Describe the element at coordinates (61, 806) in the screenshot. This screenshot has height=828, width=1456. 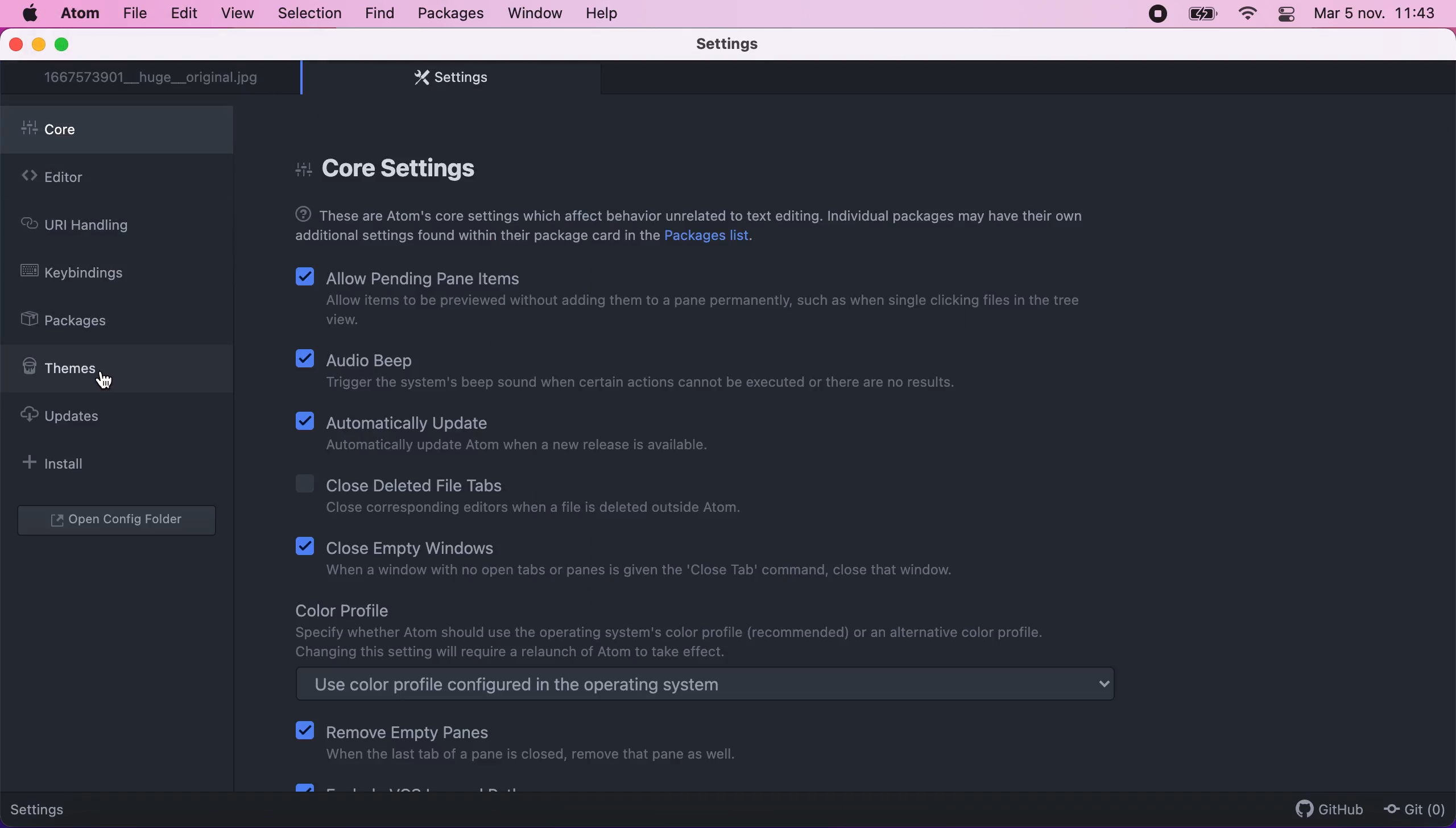
I see `settings` at that location.